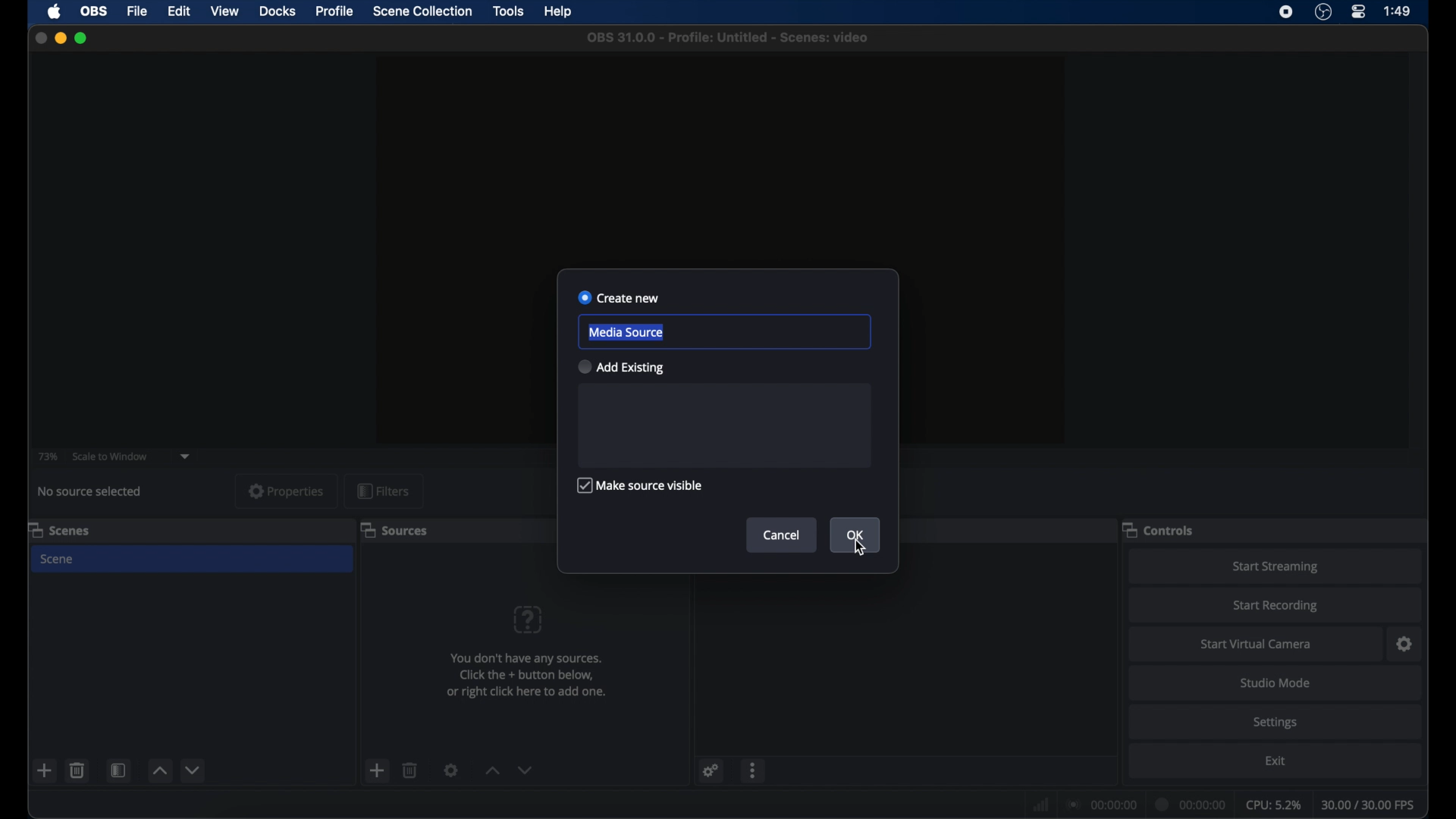 This screenshot has height=819, width=1456. I want to click on scene, so click(59, 560).